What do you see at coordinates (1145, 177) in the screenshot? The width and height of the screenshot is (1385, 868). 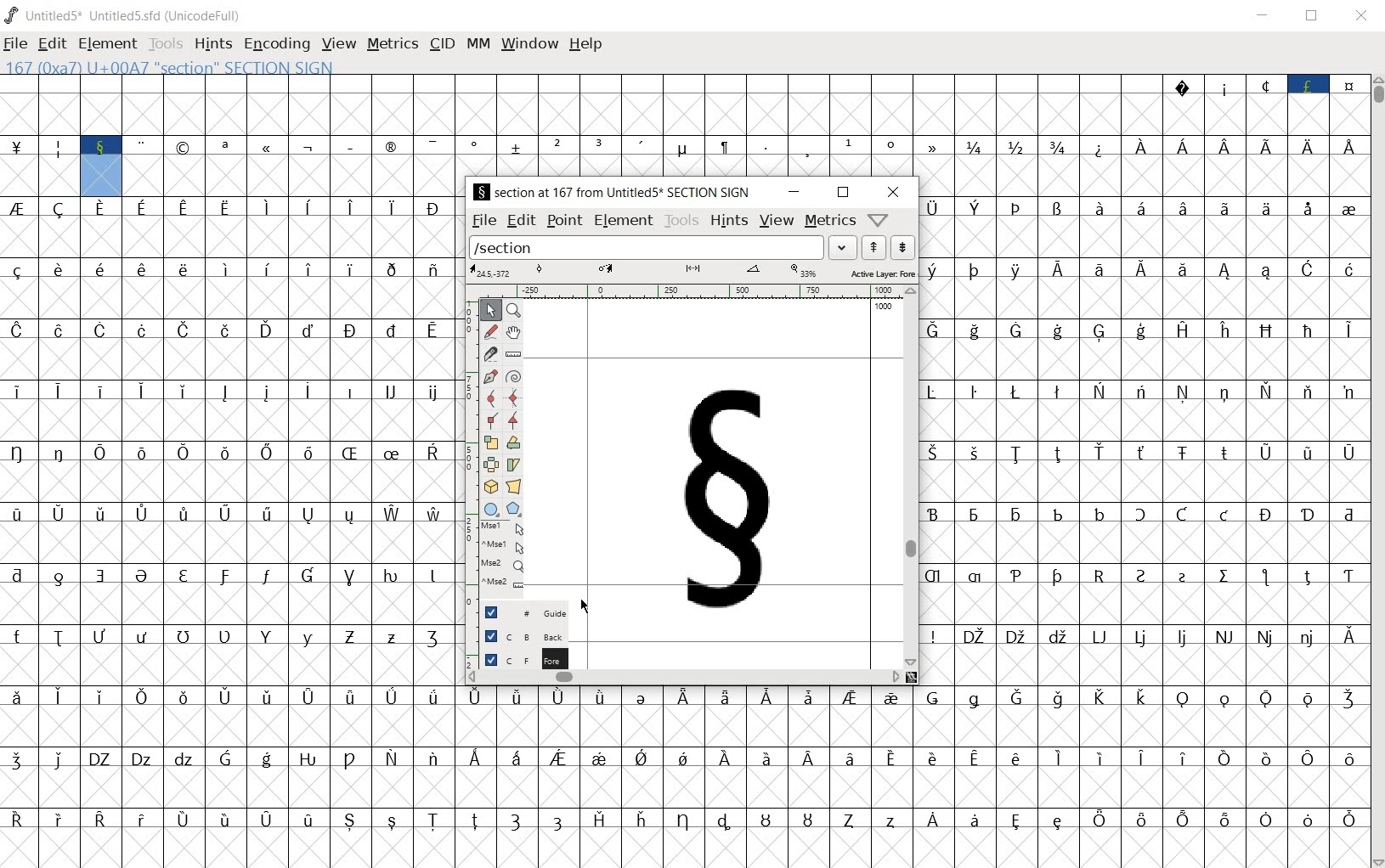 I see `empty cells` at bounding box center [1145, 177].